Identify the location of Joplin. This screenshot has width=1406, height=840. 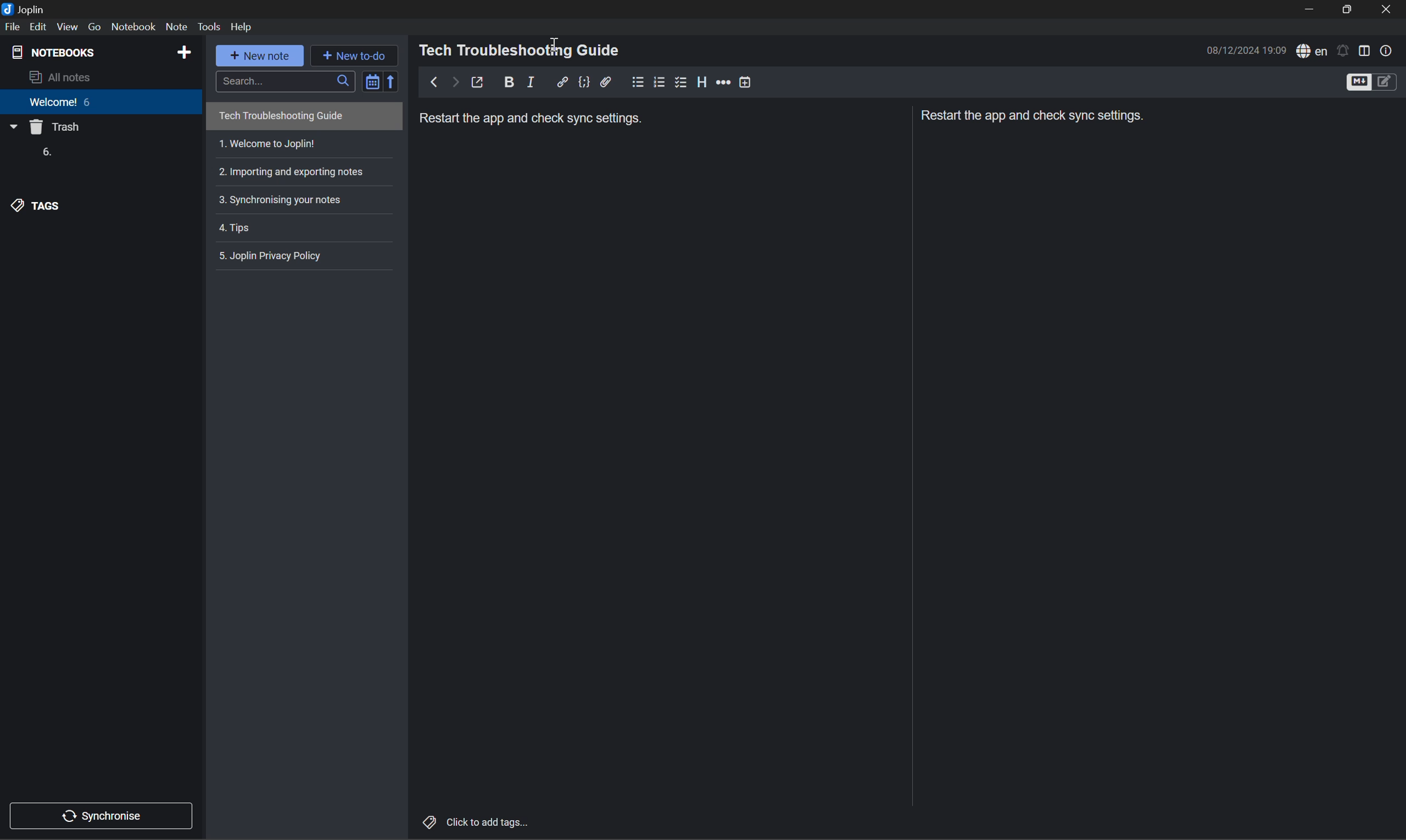
(25, 7).